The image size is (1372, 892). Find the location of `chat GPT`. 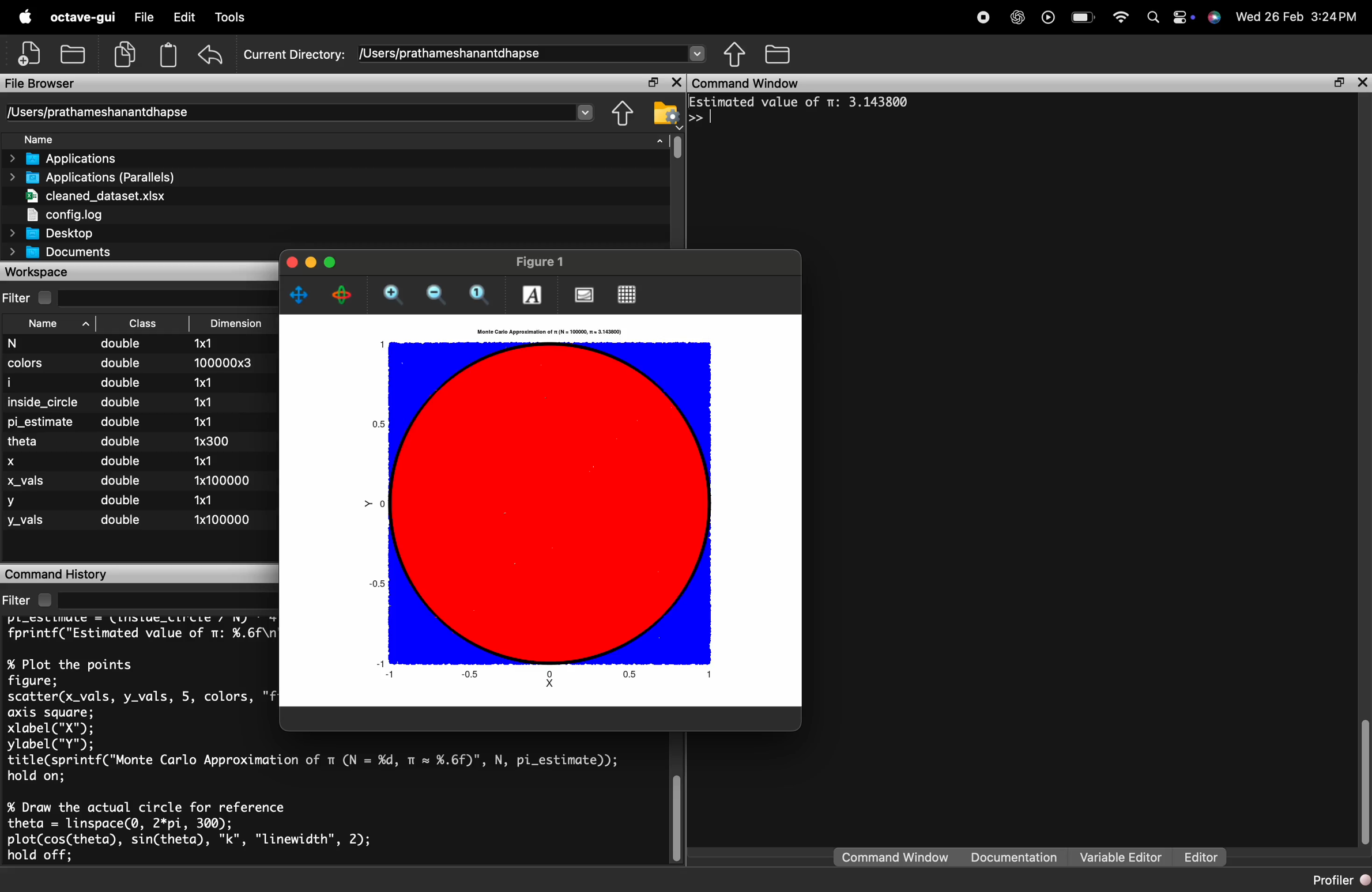

chat GPT is located at coordinates (1015, 19).